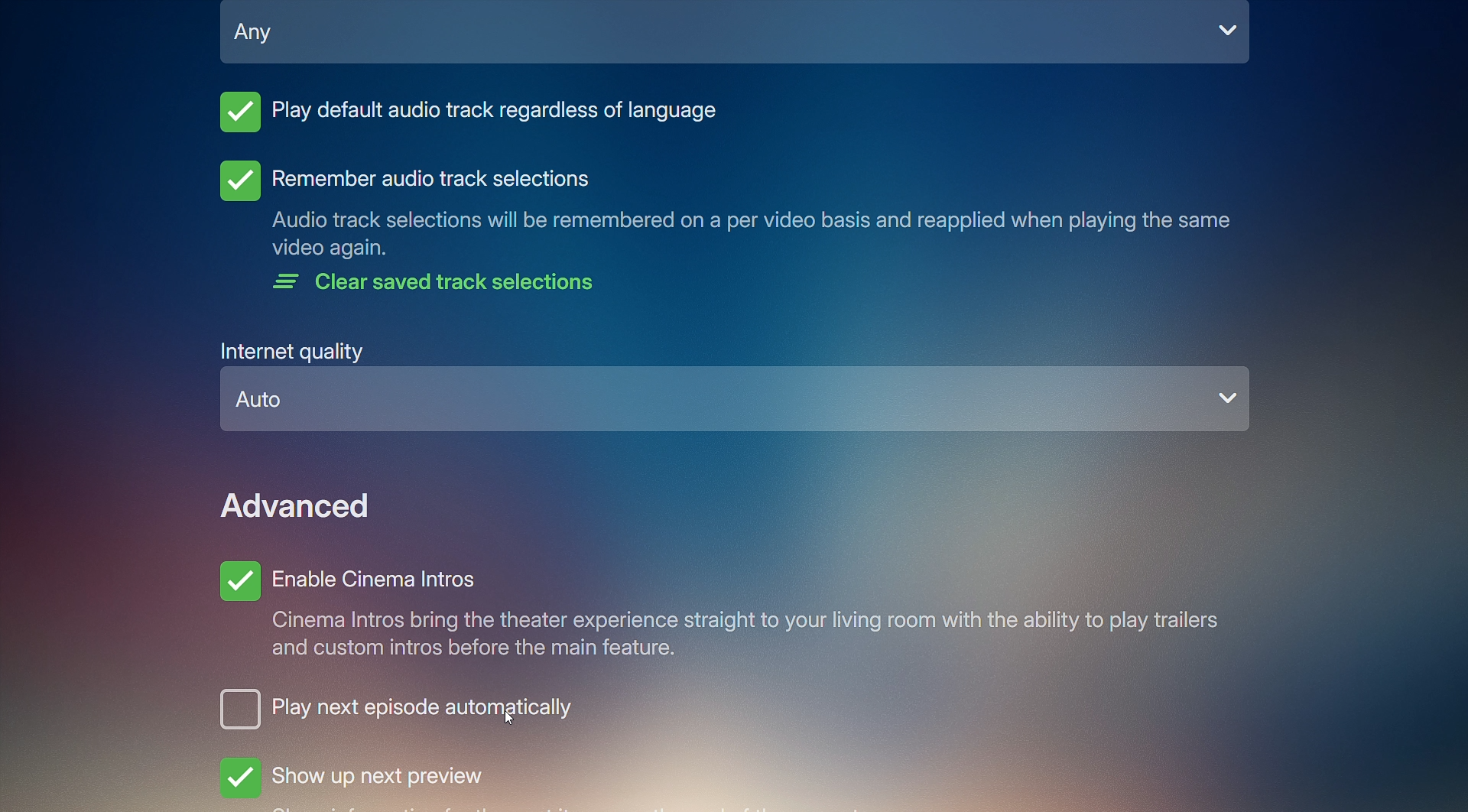 The height and width of the screenshot is (812, 1468). Describe the element at coordinates (737, 389) in the screenshot. I see `Internet Quality - Auto` at that location.